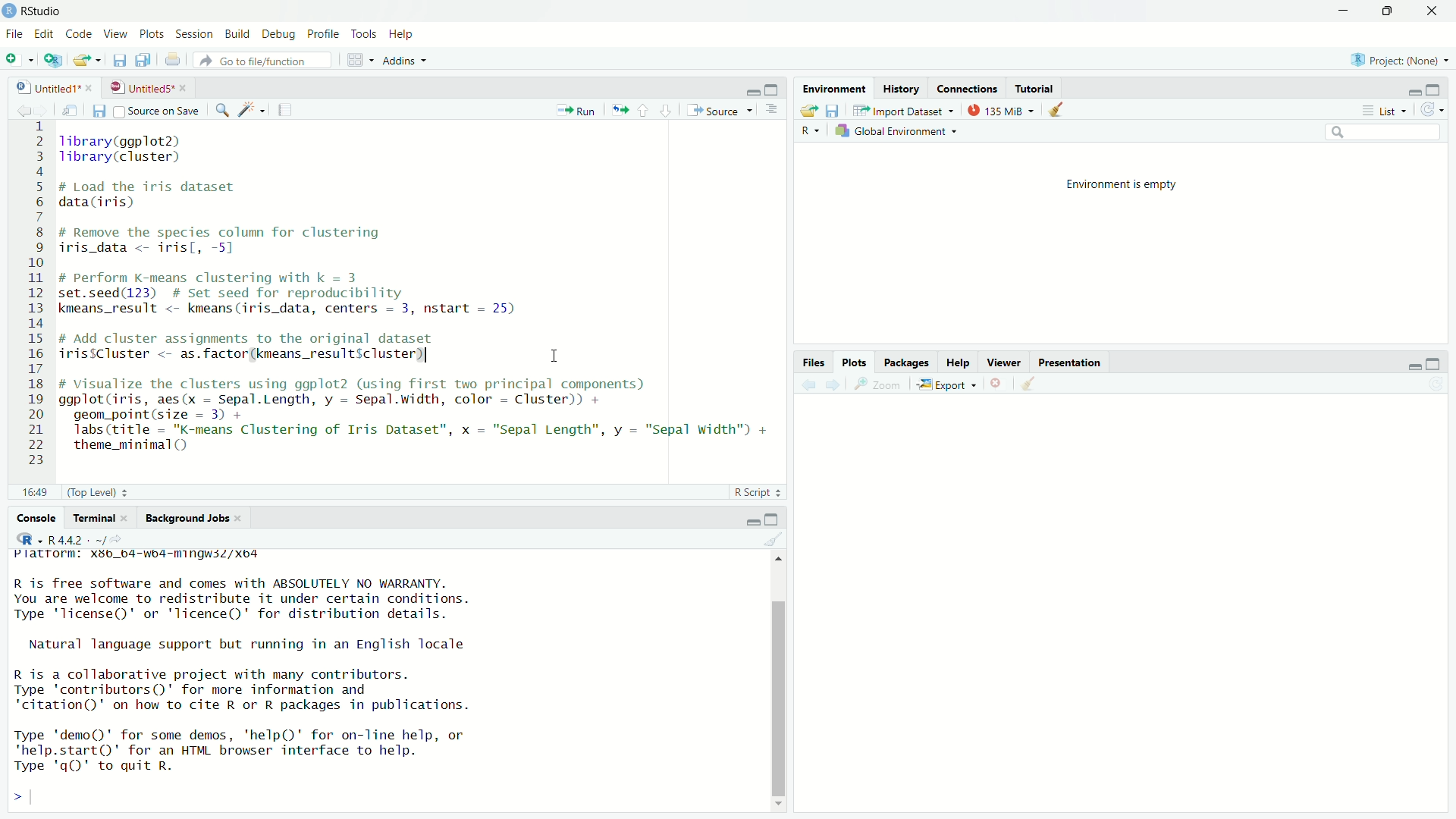 This screenshot has height=819, width=1456. What do you see at coordinates (150, 32) in the screenshot?
I see `plots` at bounding box center [150, 32].